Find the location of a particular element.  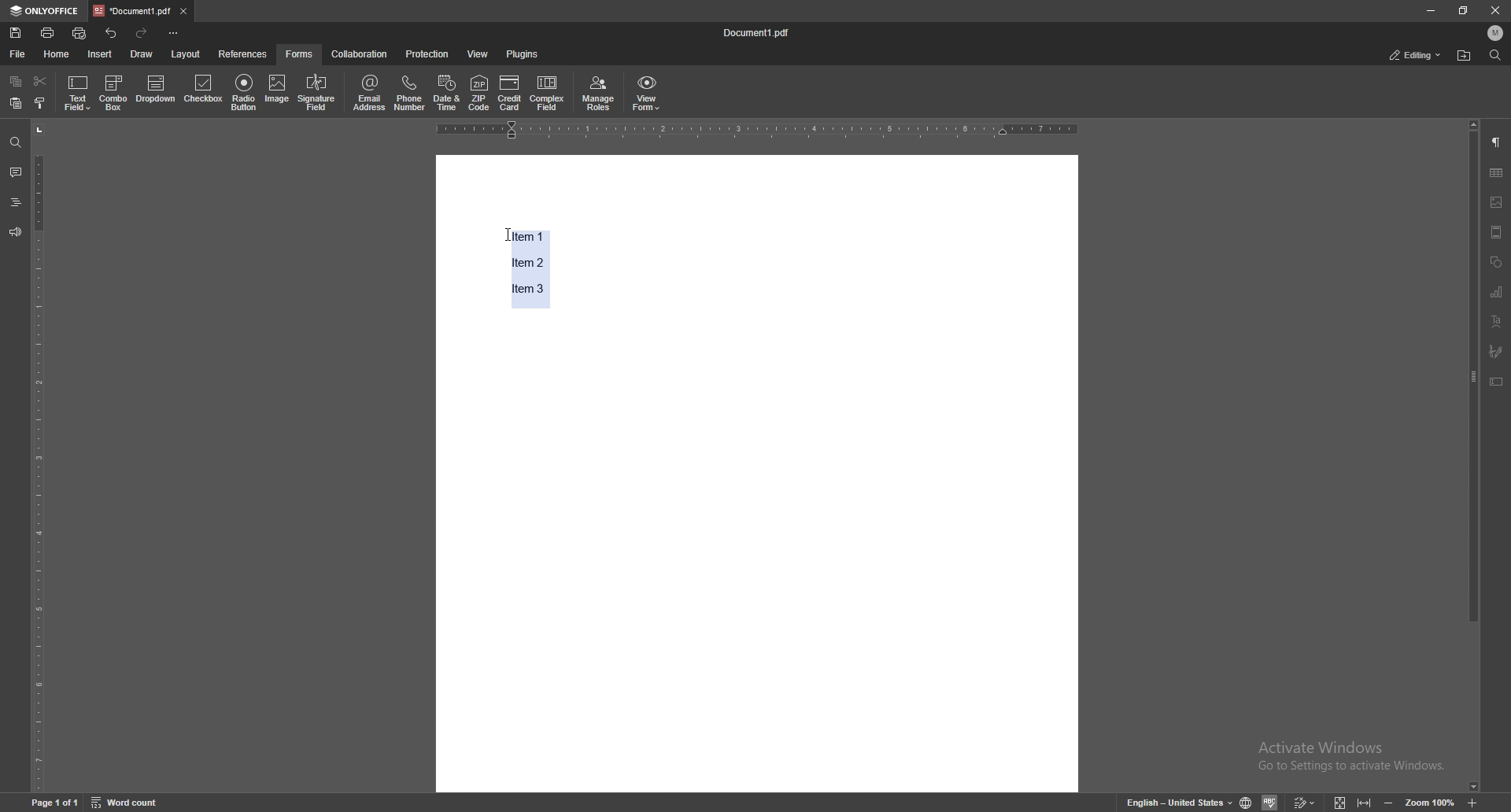

status is located at coordinates (1416, 54).